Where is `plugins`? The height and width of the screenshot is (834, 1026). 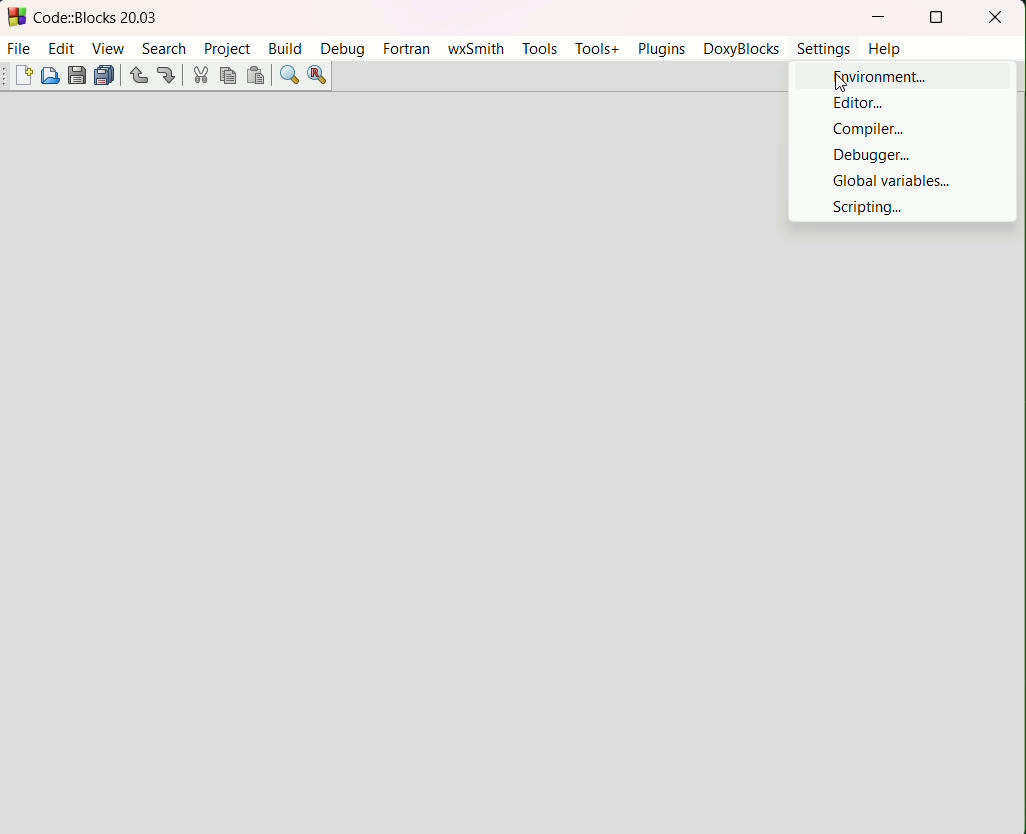
plugins is located at coordinates (661, 50).